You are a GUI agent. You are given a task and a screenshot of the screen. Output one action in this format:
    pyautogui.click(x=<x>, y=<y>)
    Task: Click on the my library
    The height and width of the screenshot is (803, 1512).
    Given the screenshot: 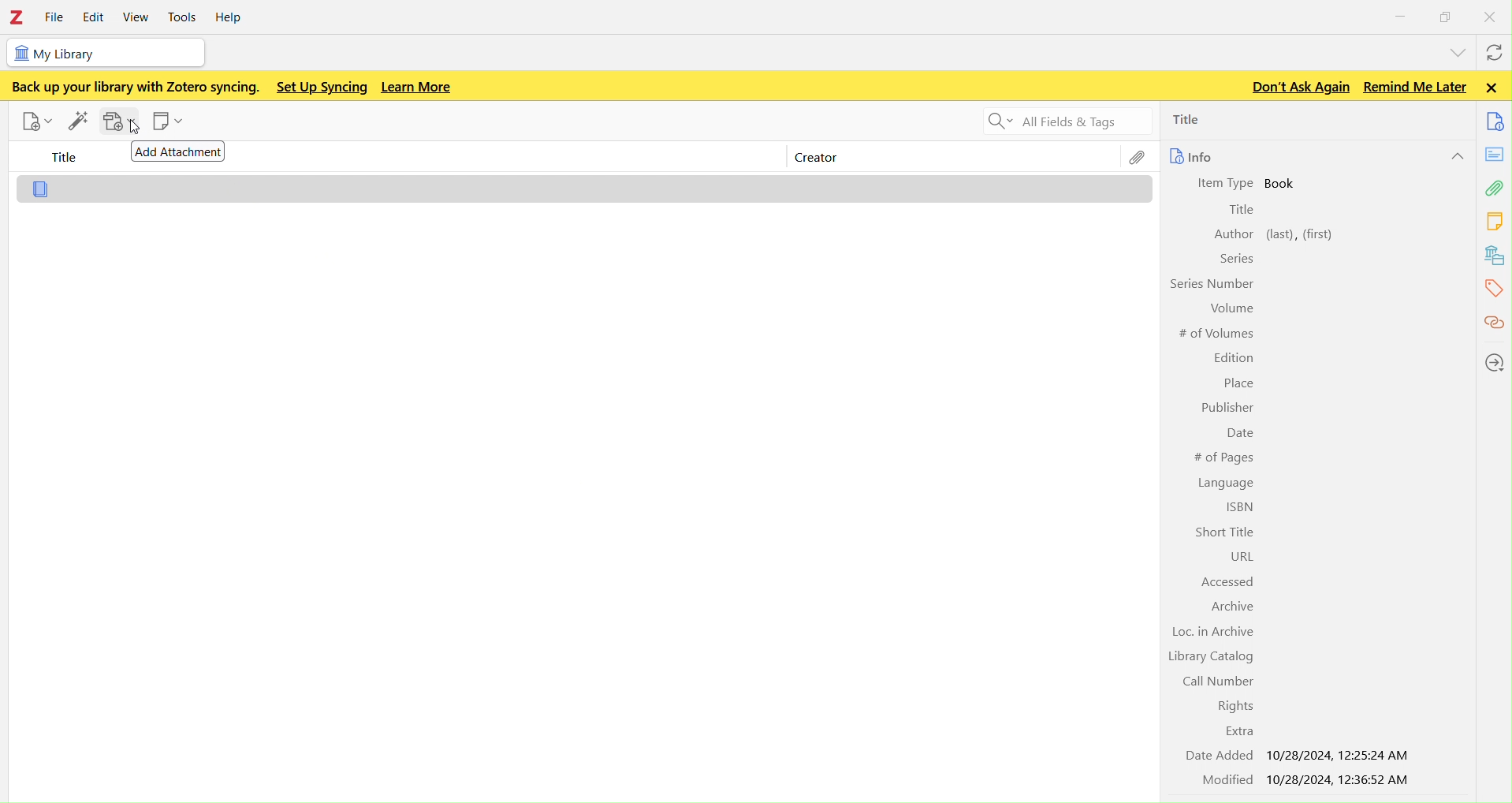 What is the action you would take?
    pyautogui.click(x=120, y=54)
    